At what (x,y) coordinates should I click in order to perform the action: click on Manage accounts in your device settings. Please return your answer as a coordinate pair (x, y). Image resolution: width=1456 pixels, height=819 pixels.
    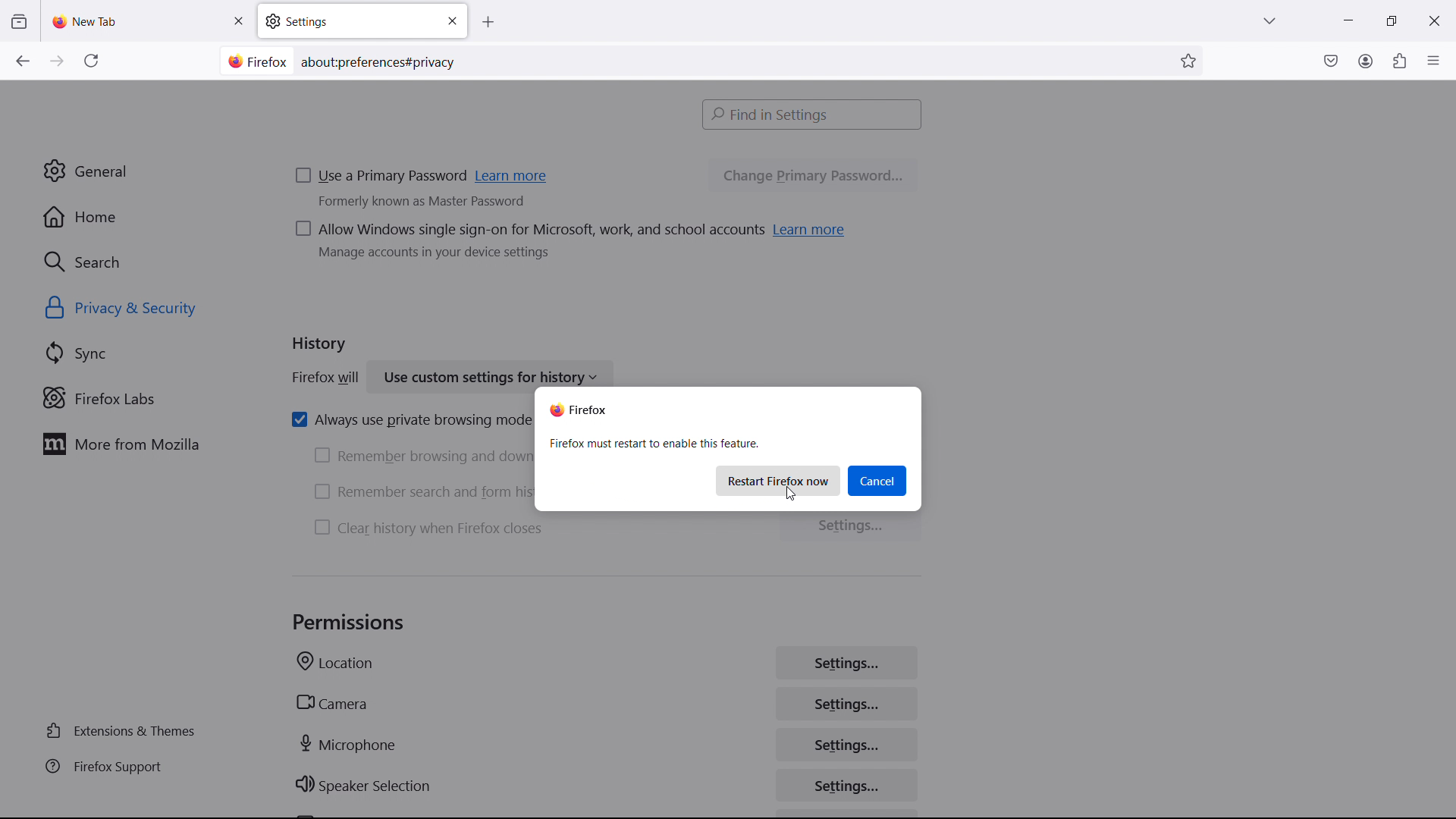
    Looking at the image, I should click on (439, 259).